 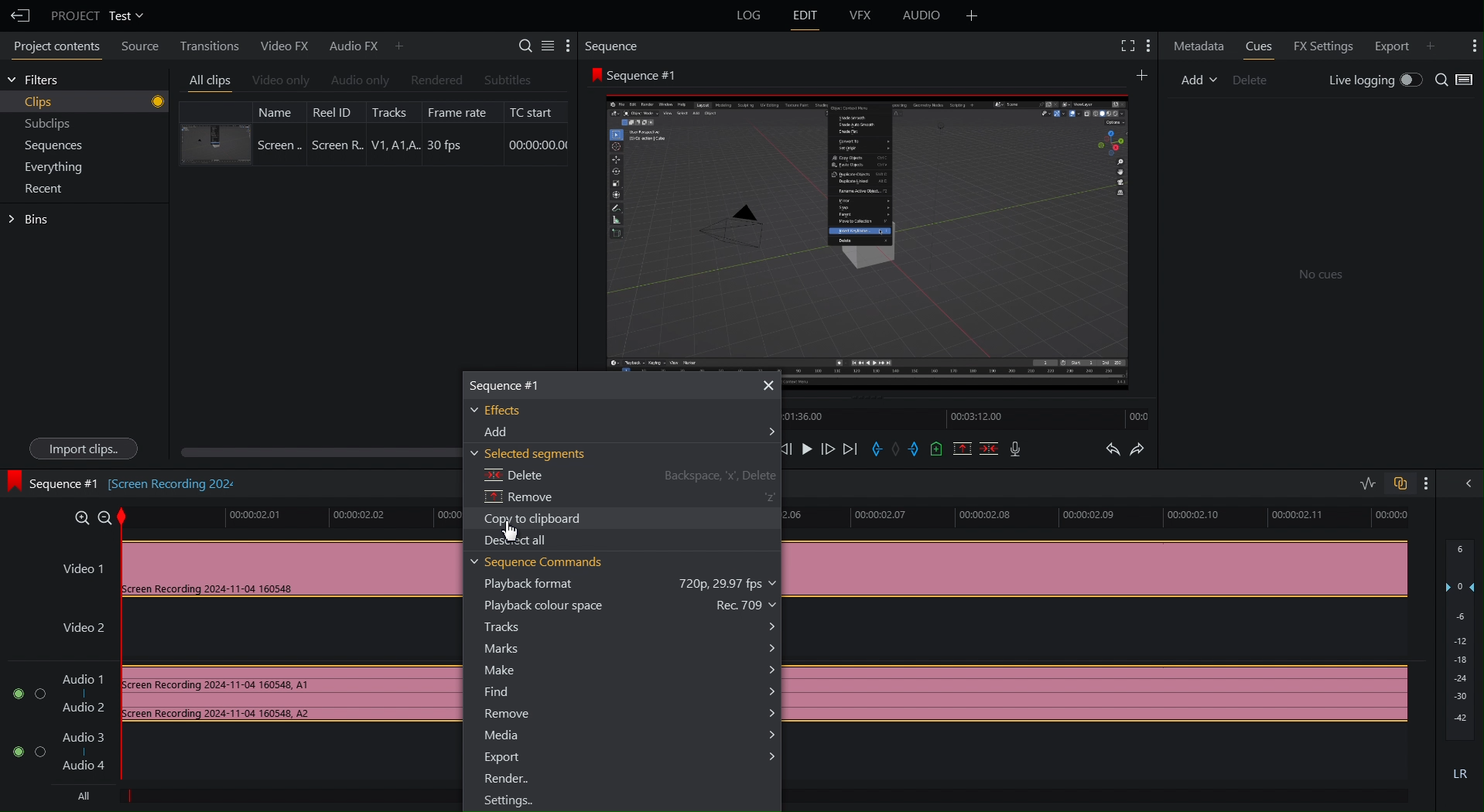 What do you see at coordinates (45, 167) in the screenshot?
I see `Everything` at bounding box center [45, 167].